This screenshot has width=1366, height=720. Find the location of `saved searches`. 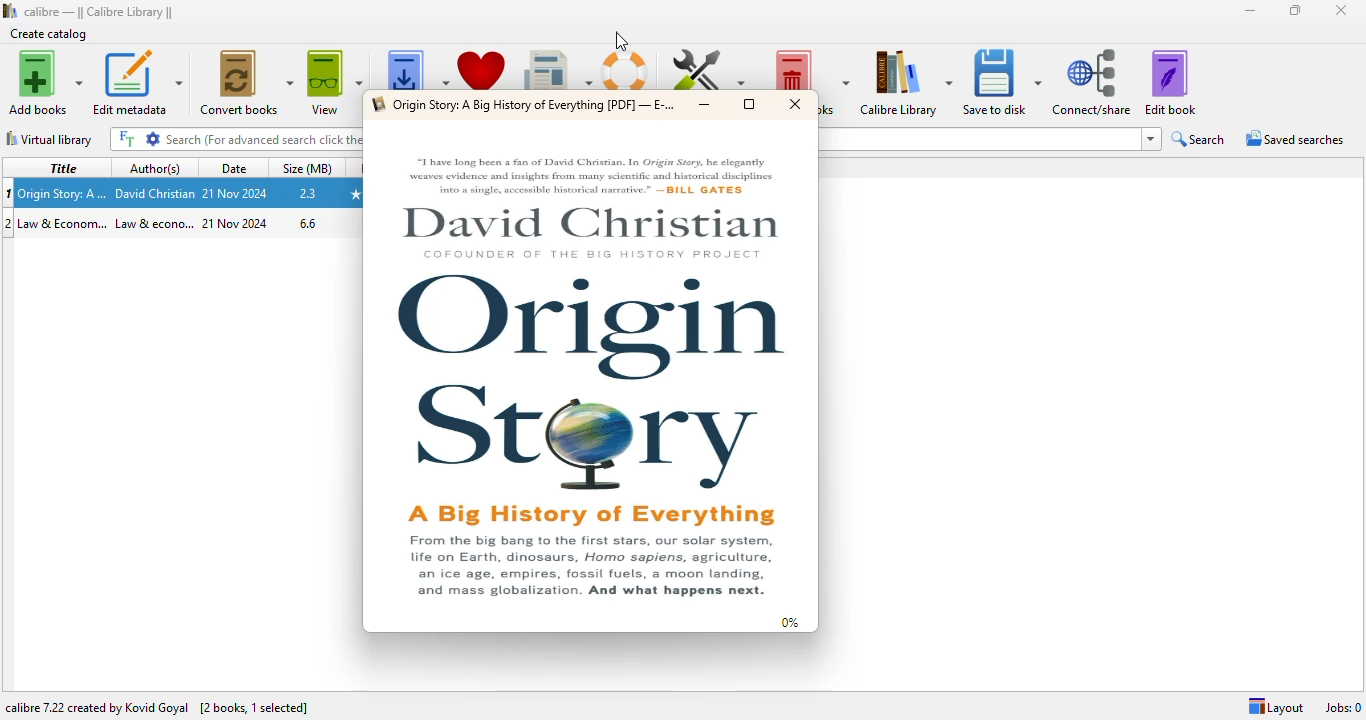

saved searches is located at coordinates (1296, 137).